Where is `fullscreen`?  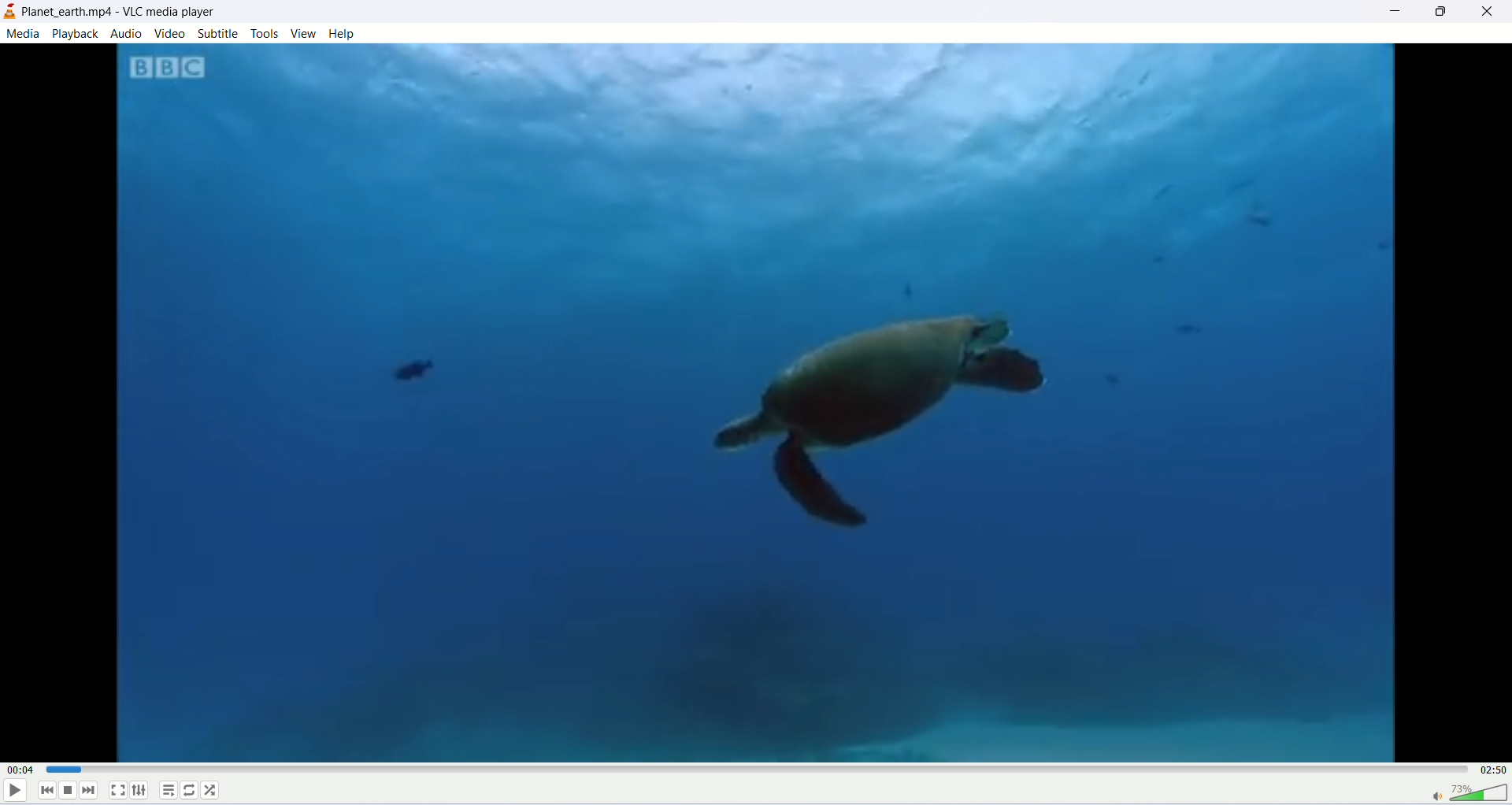
fullscreen is located at coordinates (119, 791).